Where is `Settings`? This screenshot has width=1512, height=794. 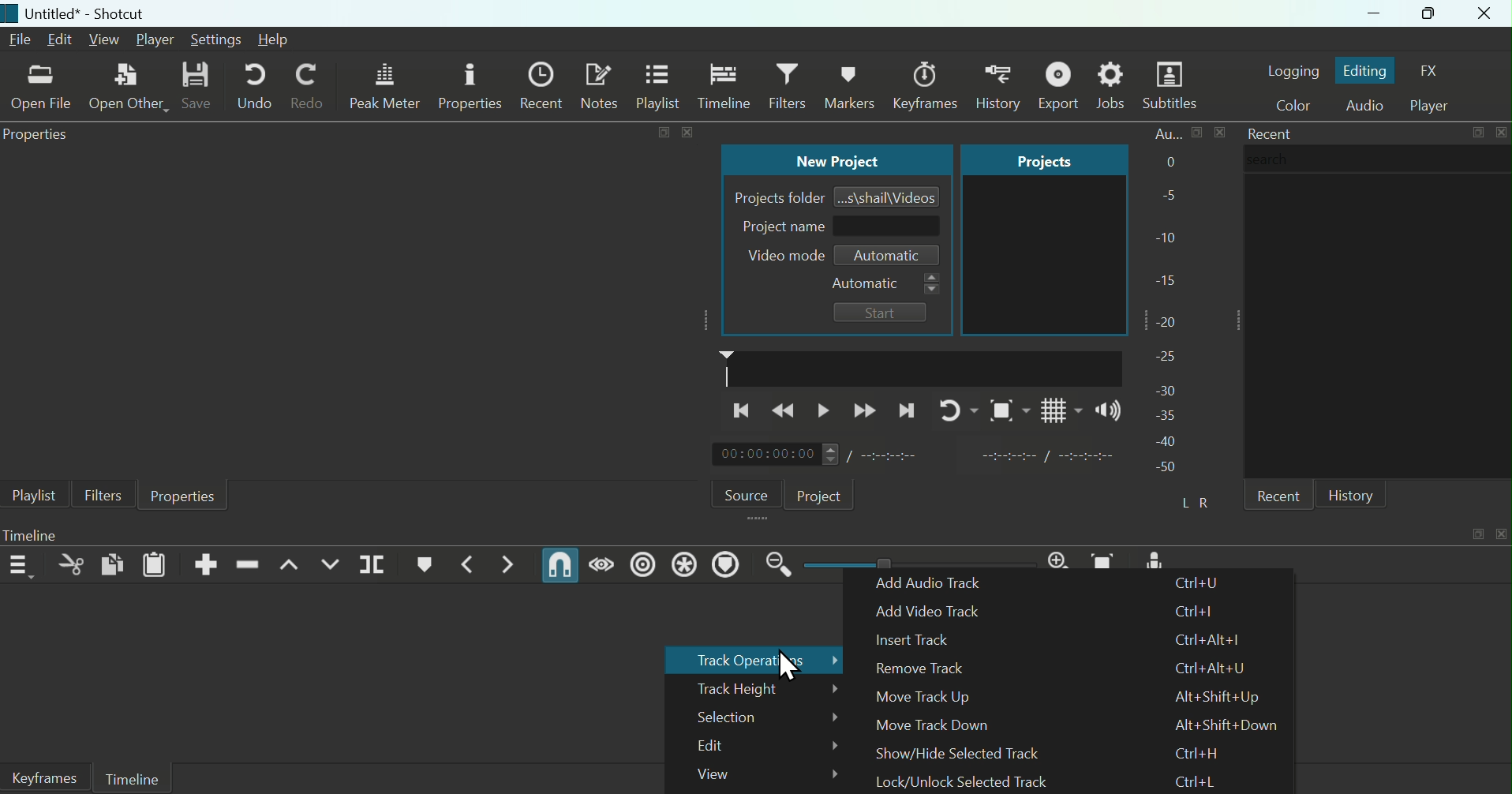 Settings is located at coordinates (216, 39).